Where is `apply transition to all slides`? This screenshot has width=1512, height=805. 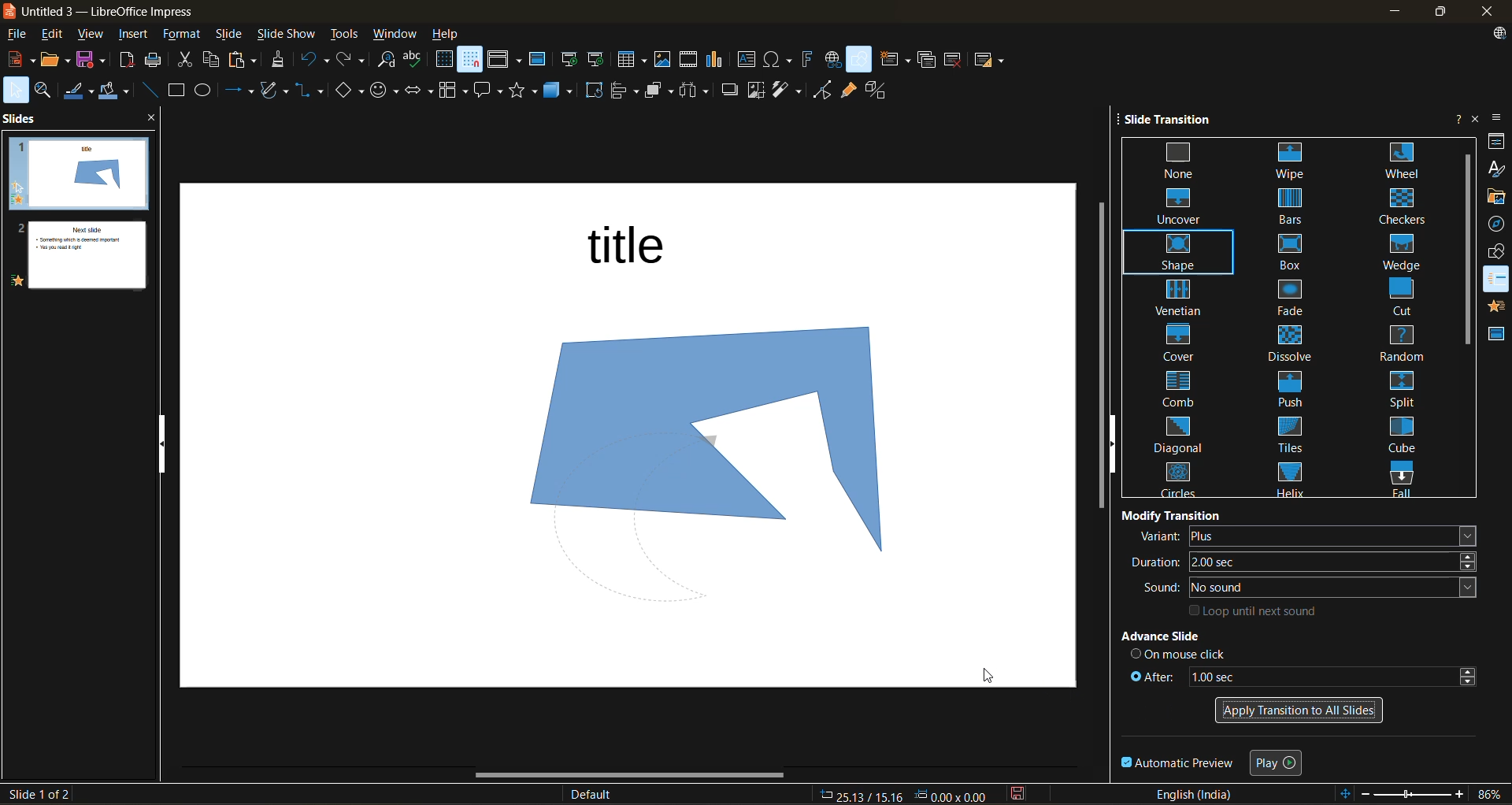
apply transition to all slides is located at coordinates (1297, 708).